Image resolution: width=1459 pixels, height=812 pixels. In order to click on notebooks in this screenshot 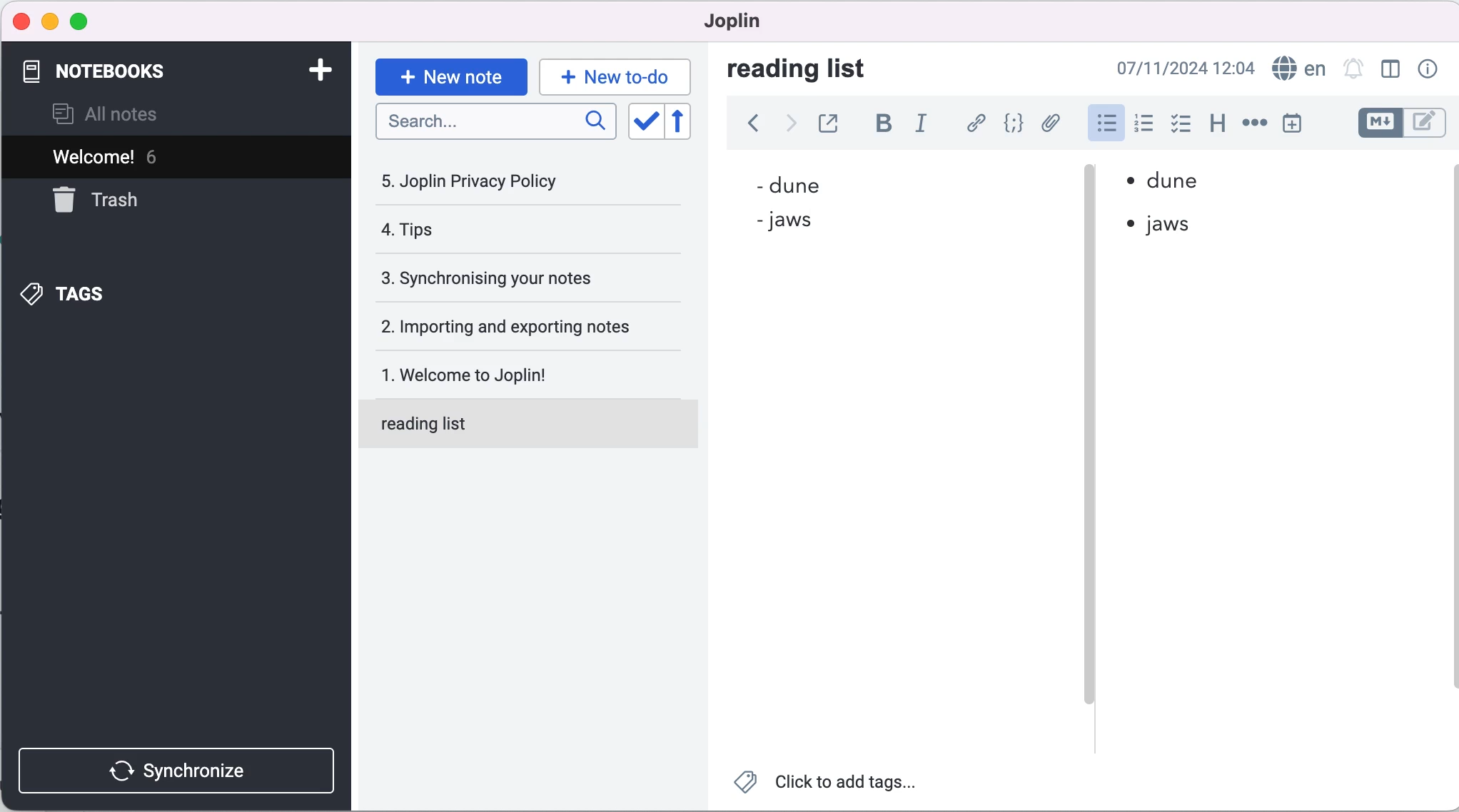, I will do `click(158, 71)`.